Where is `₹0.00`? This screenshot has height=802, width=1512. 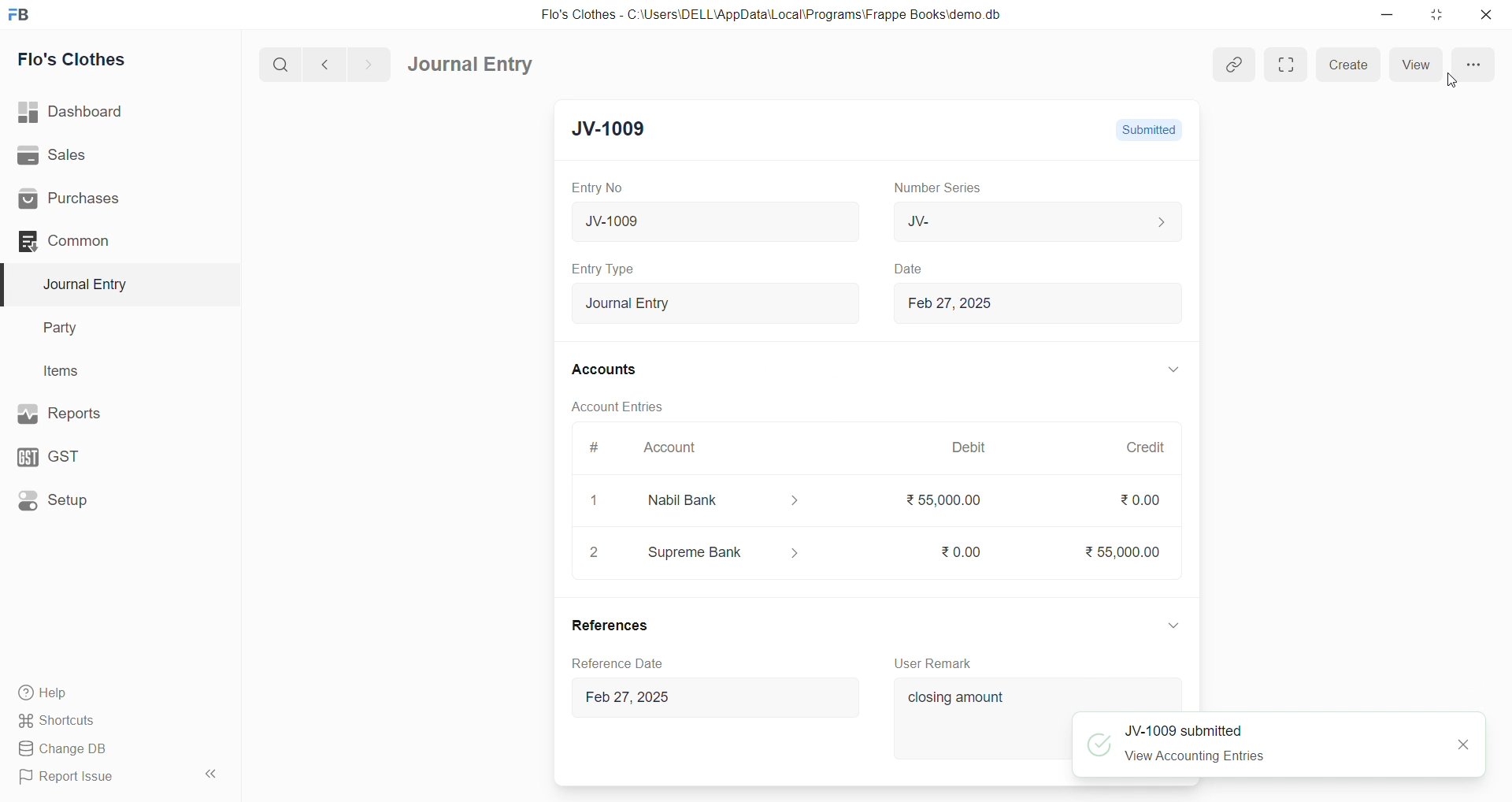 ₹0.00 is located at coordinates (951, 552).